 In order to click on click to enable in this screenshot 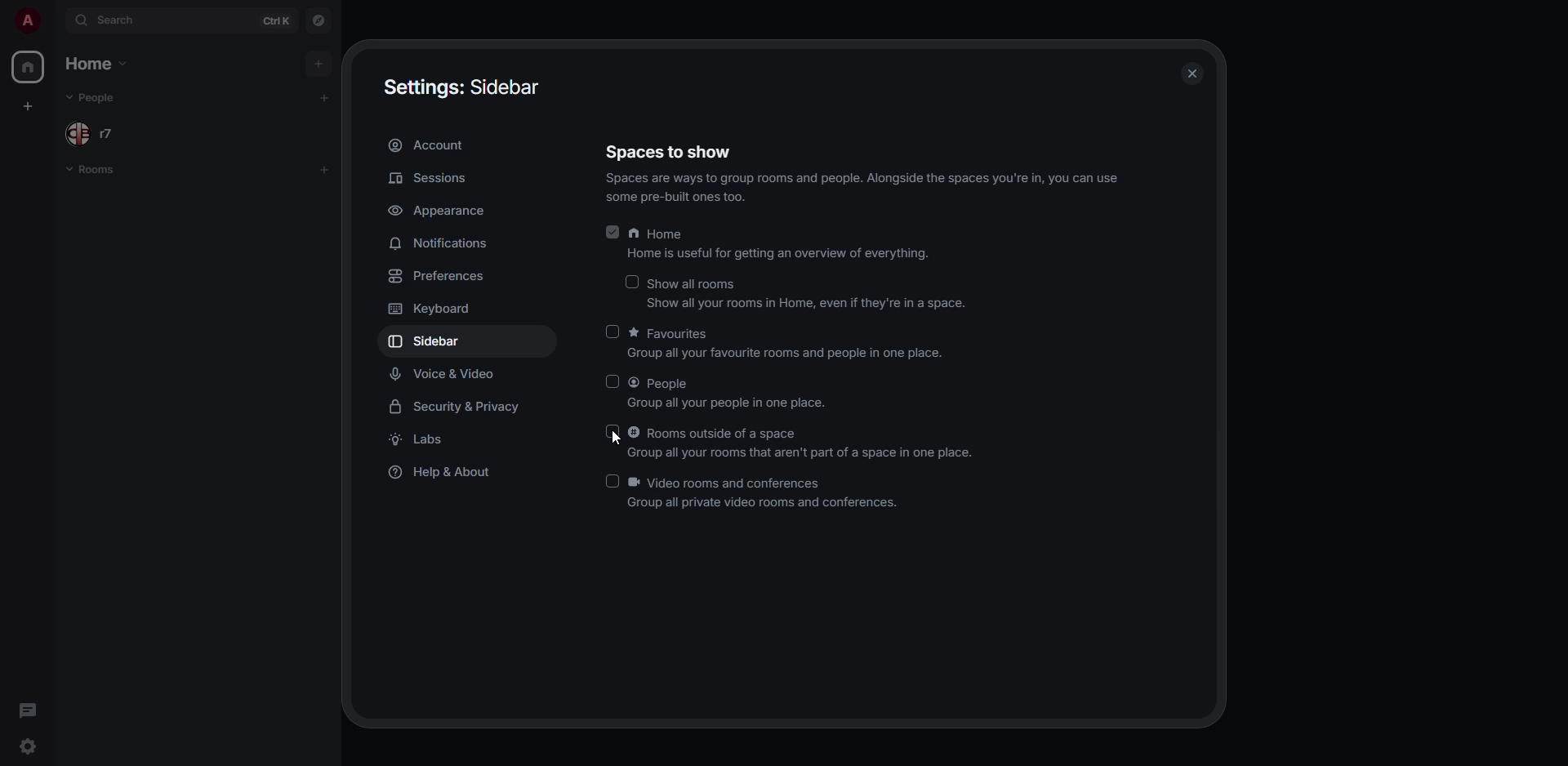, I will do `click(633, 279)`.